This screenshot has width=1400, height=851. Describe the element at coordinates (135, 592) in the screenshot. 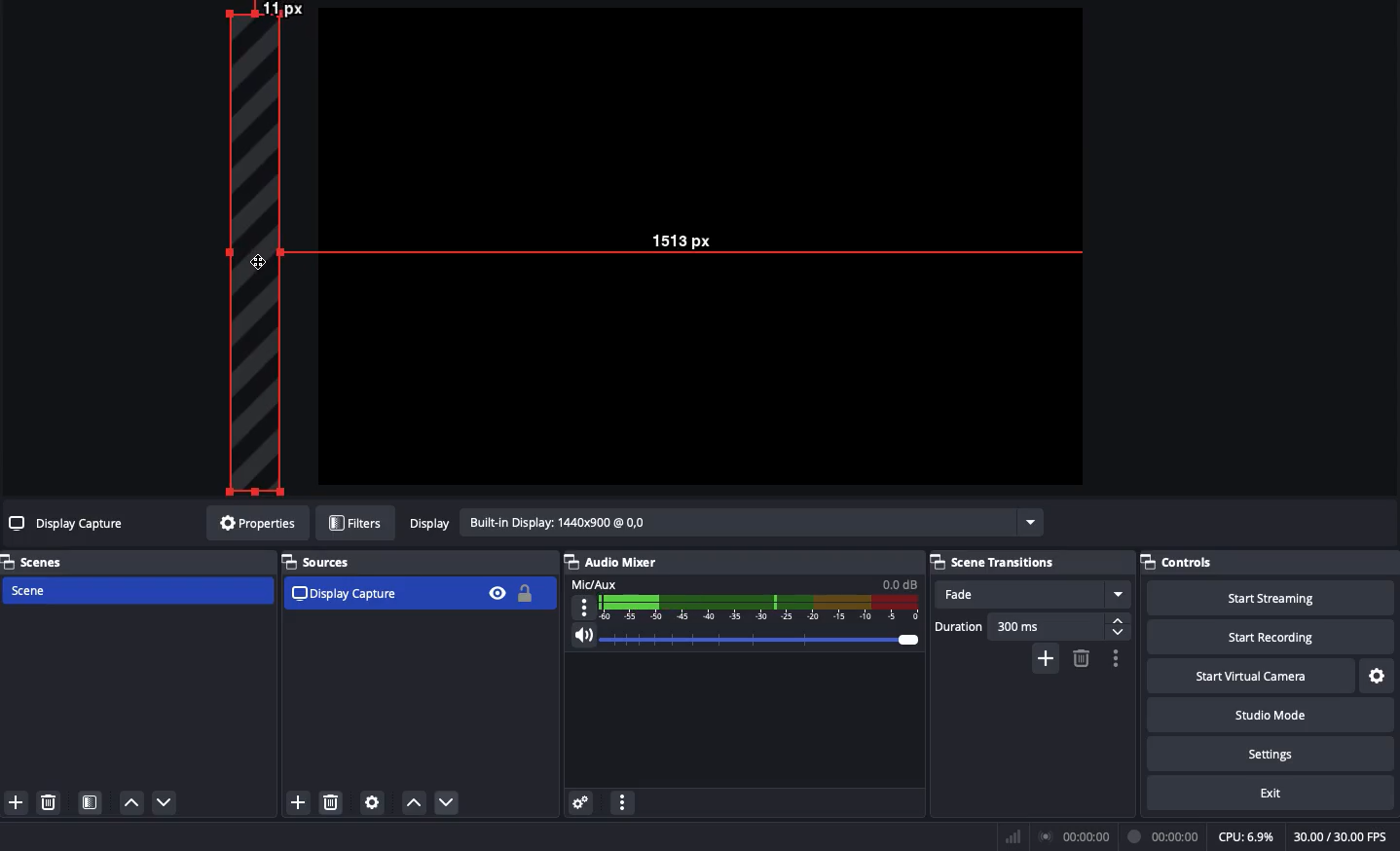

I see `Scene` at that location.